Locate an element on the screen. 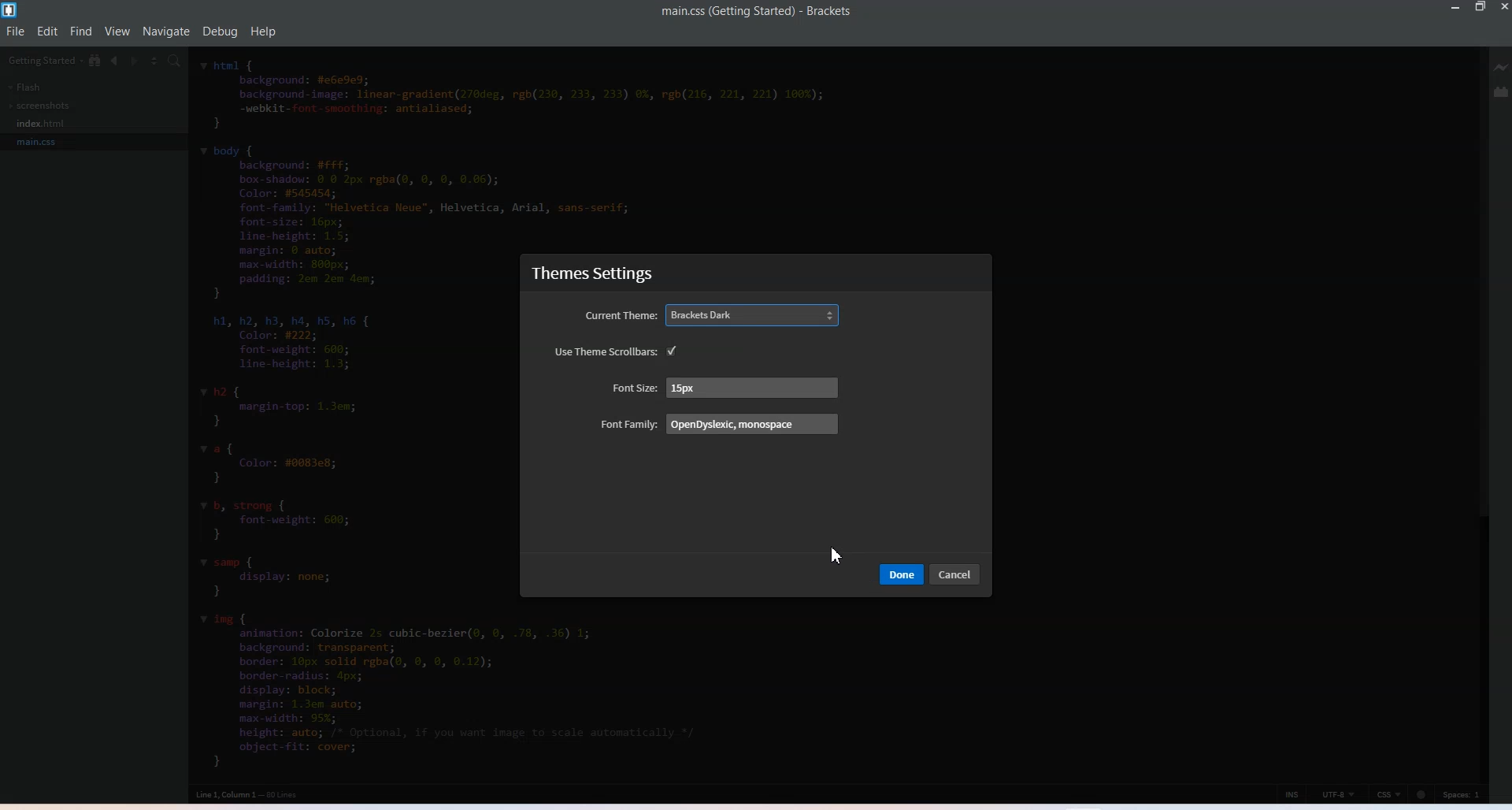 This screenshot has height=810, width=1512. OpenDyslexic, monospace is located at coordinates (754, 424).